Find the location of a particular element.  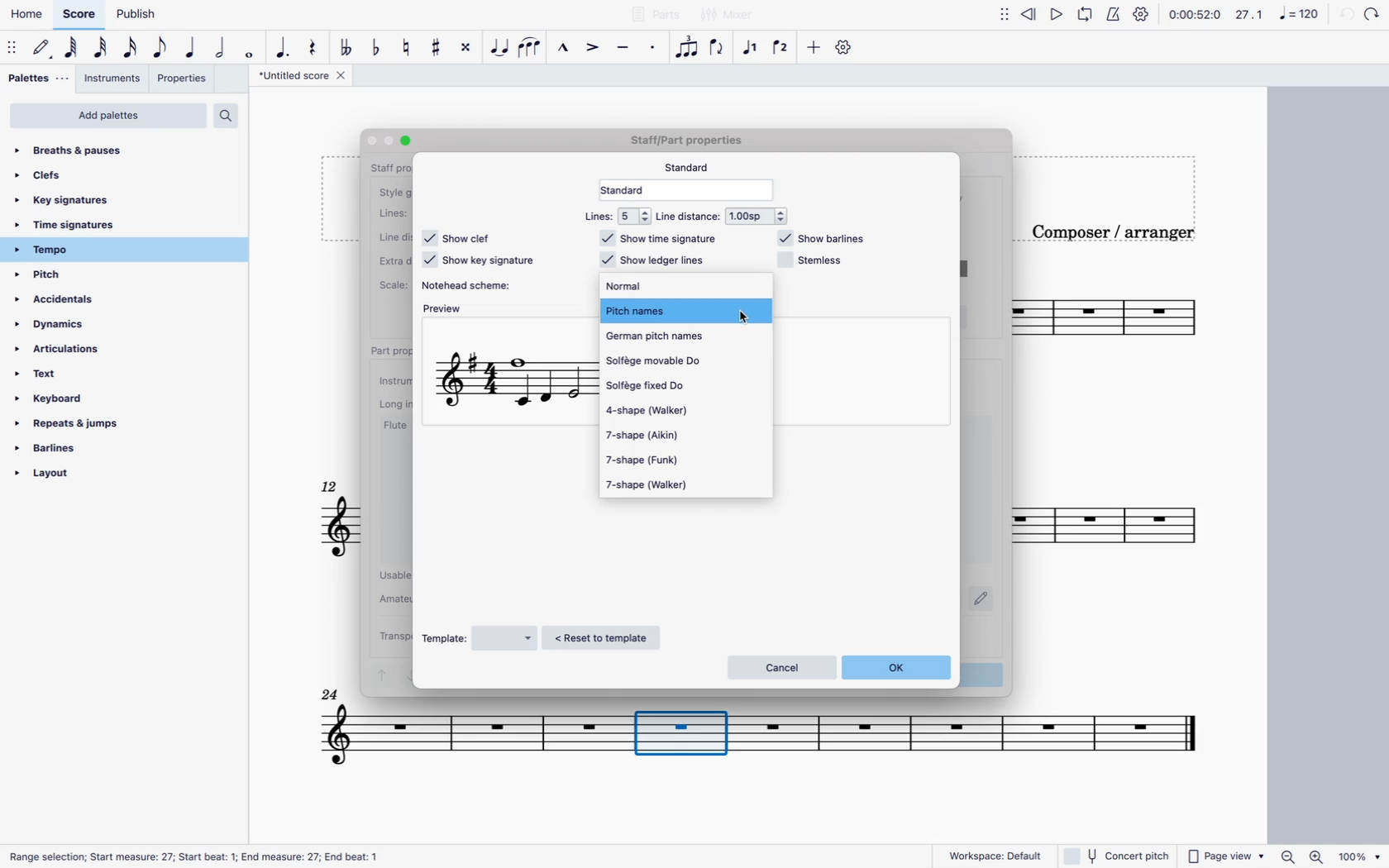

toggle flat is located at coordinates (379, 47).